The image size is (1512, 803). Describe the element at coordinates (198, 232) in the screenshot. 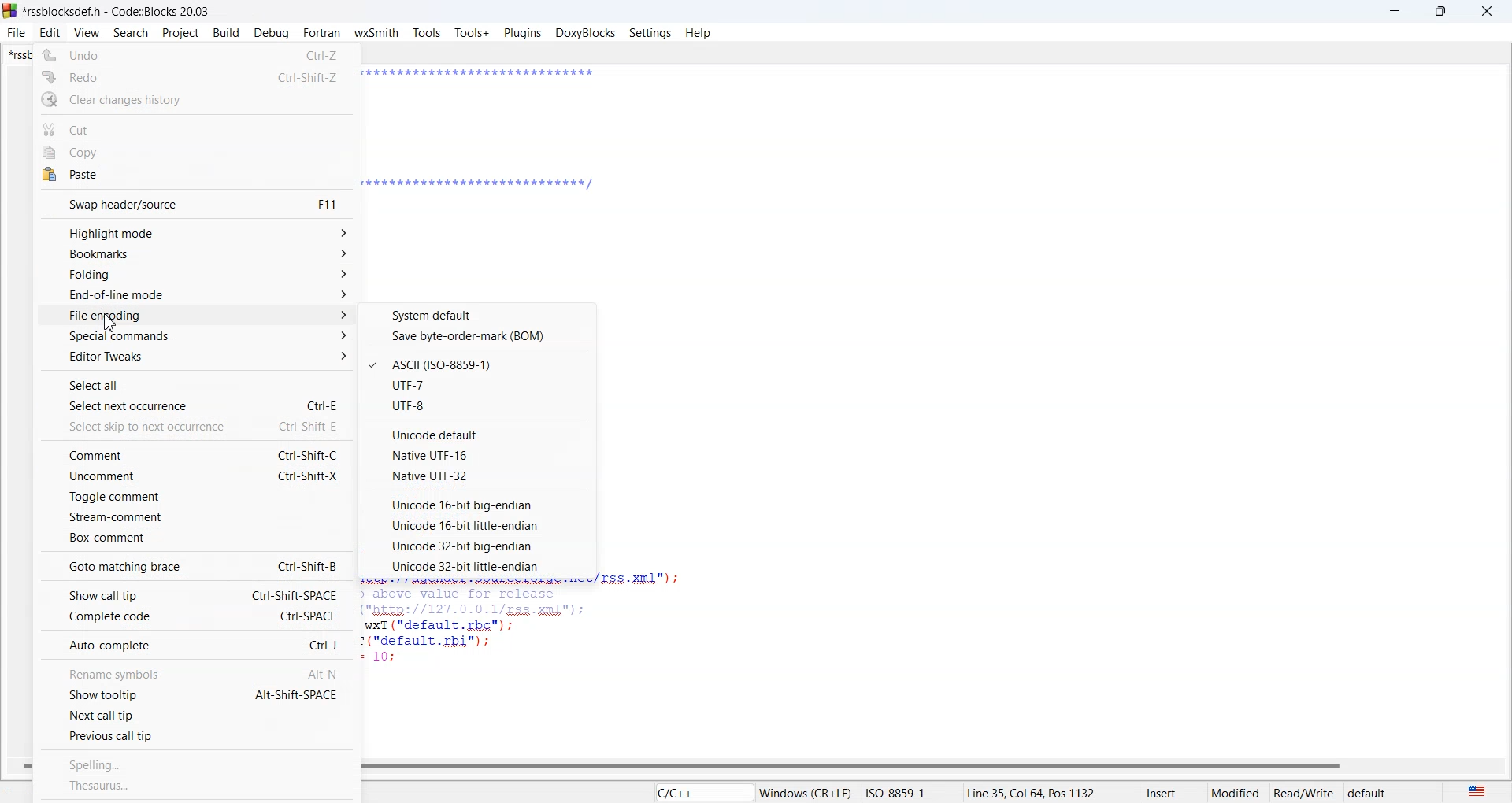

I see `Highlight mode` at that location.